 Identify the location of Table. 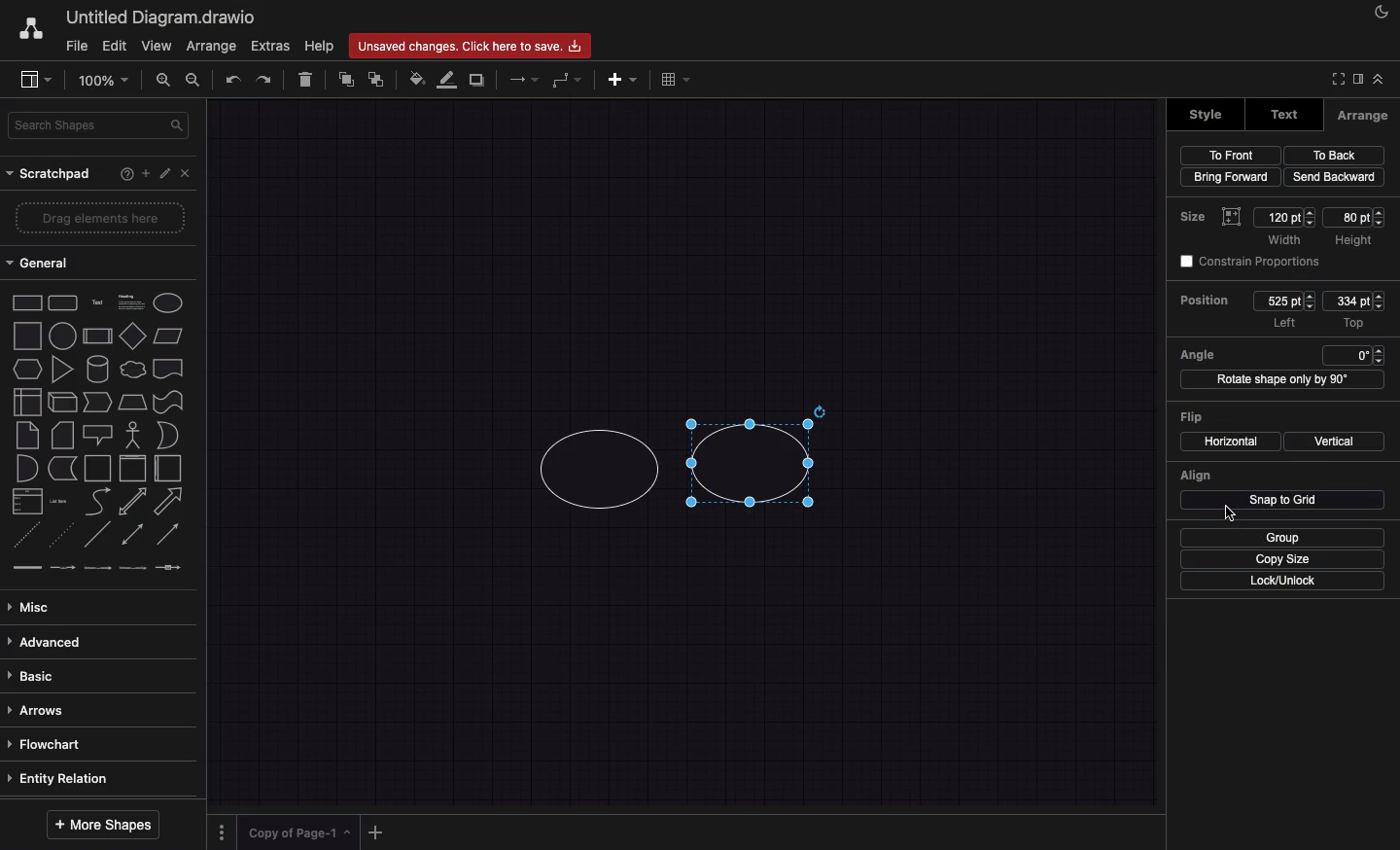
(673, 82).